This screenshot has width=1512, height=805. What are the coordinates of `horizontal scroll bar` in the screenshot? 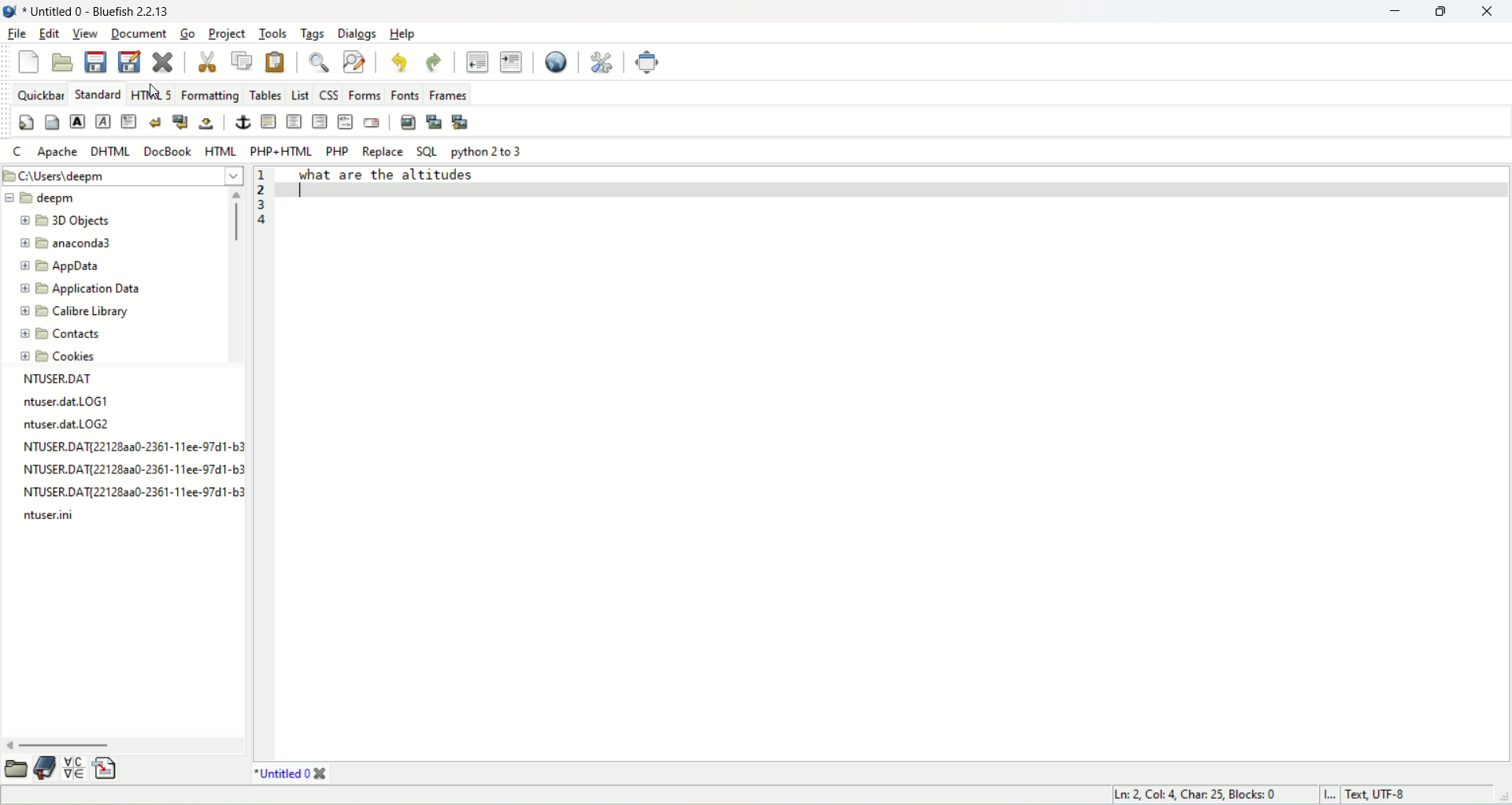 It's located at (124, 745).